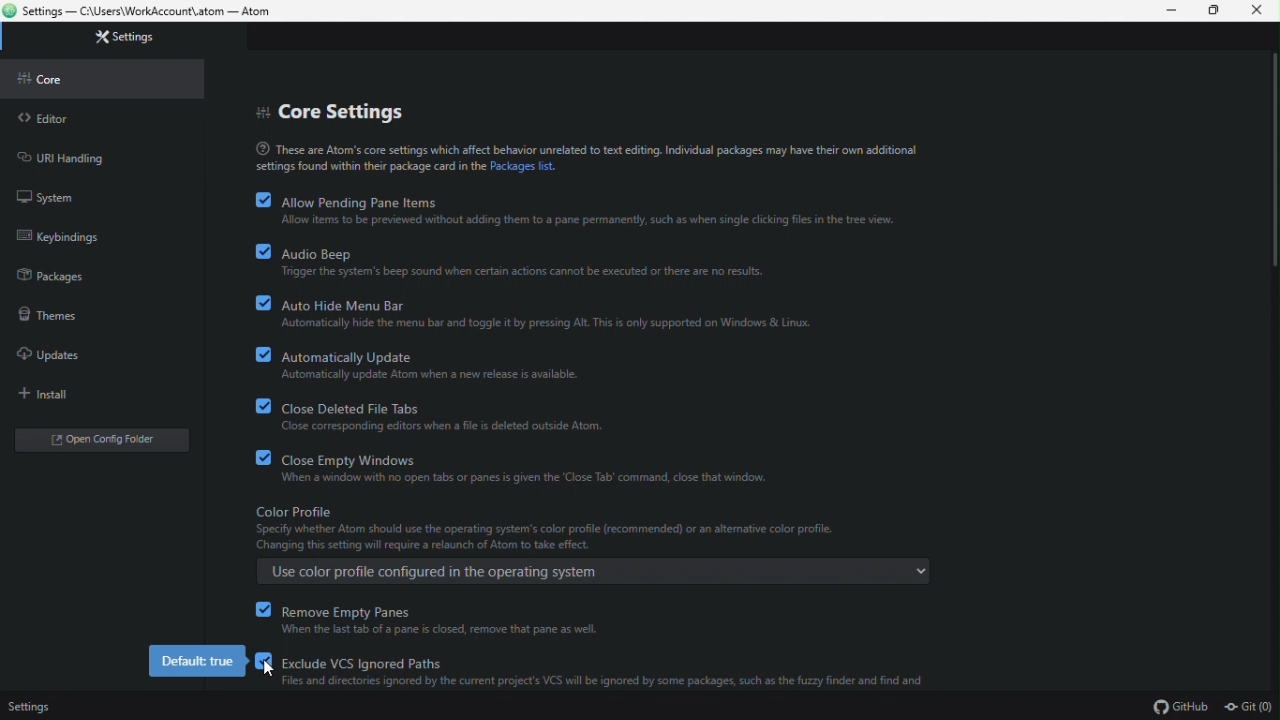 The image size is (1280, 720). I want to click on Core, so click(105, 76).